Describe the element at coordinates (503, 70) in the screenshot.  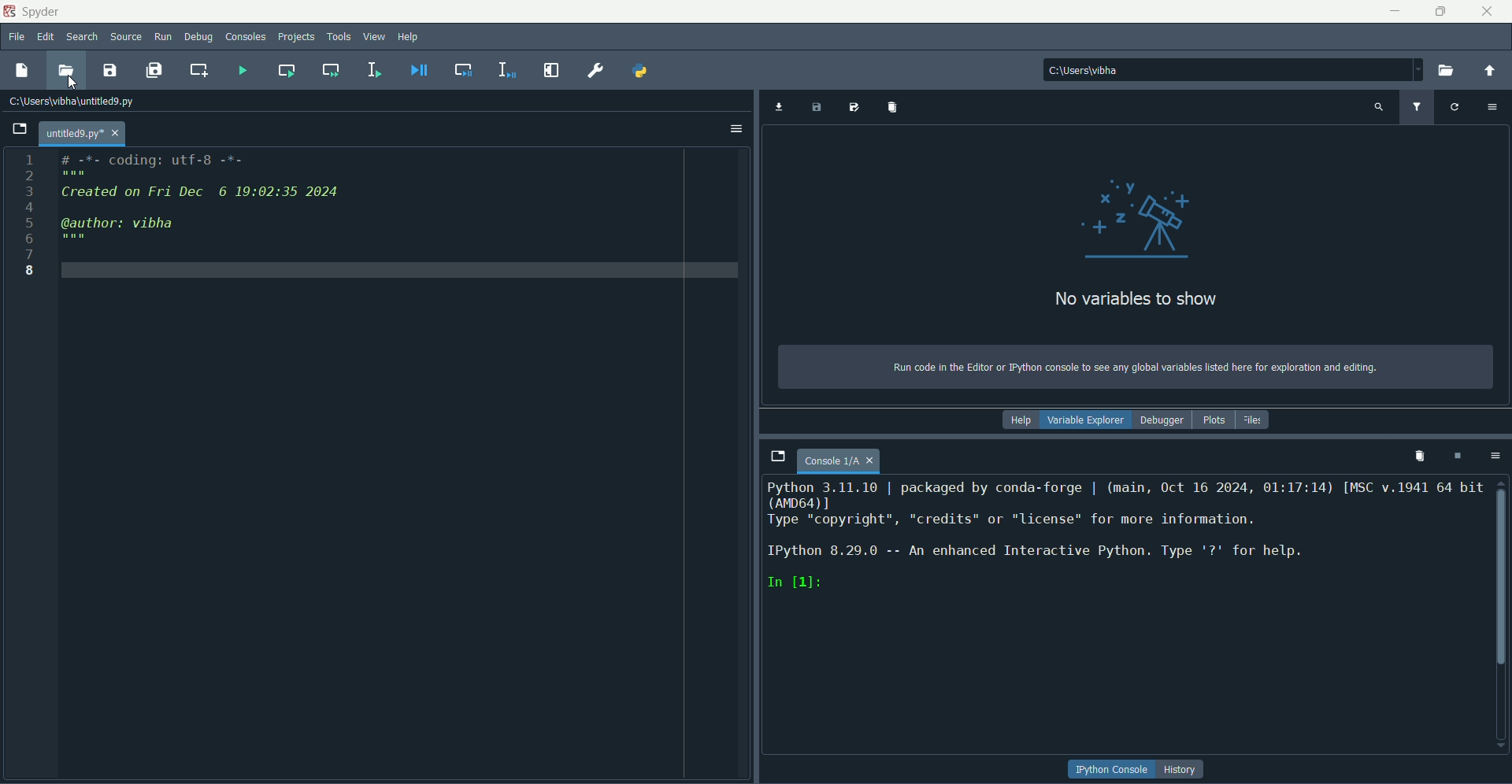
I see `debug selection` at that location.